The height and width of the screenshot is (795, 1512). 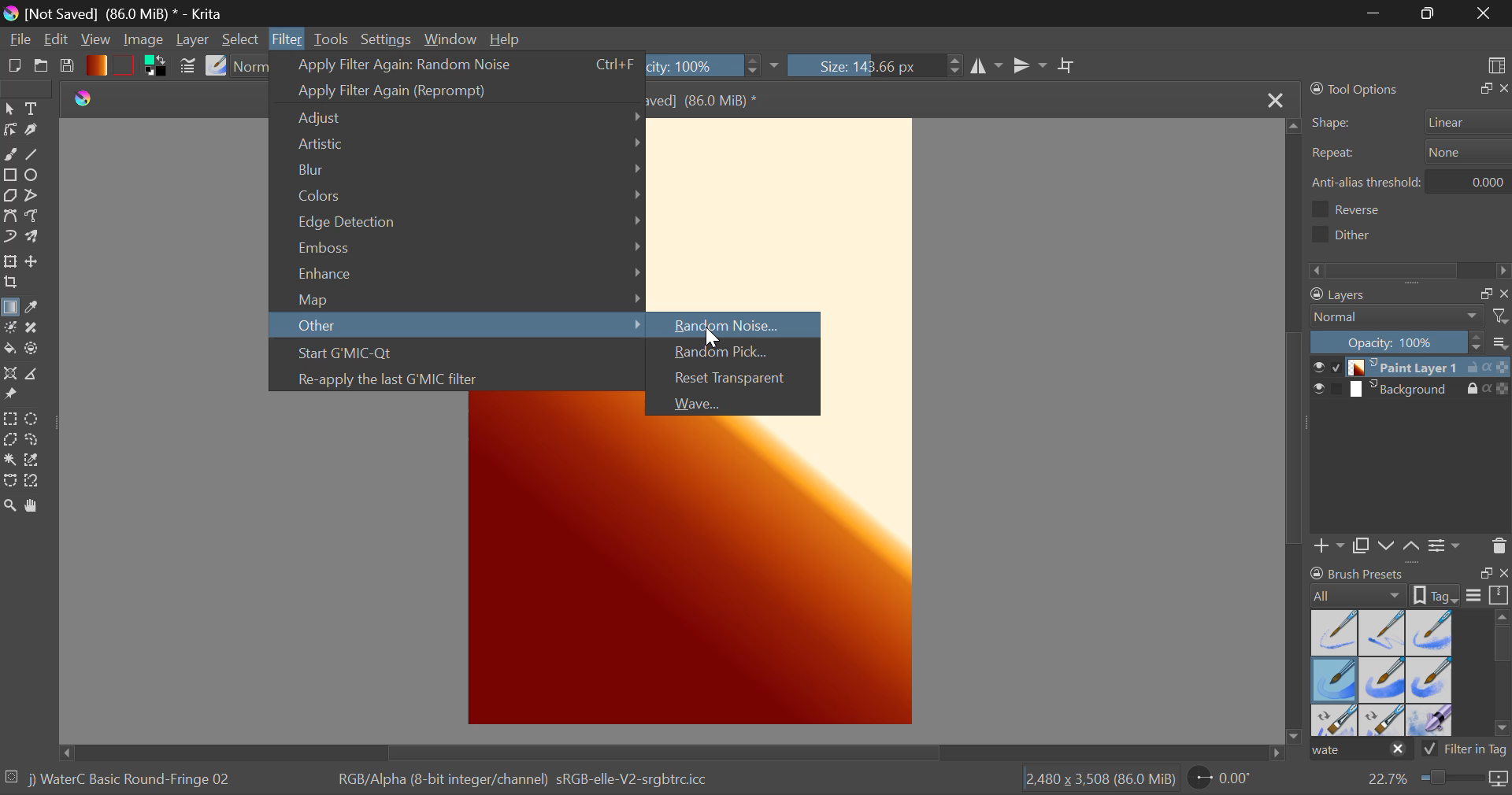 What do you see at coordinates (9, 216) in the screenshot?
I see `Bezier Curve` at bounding box center [9, 216].